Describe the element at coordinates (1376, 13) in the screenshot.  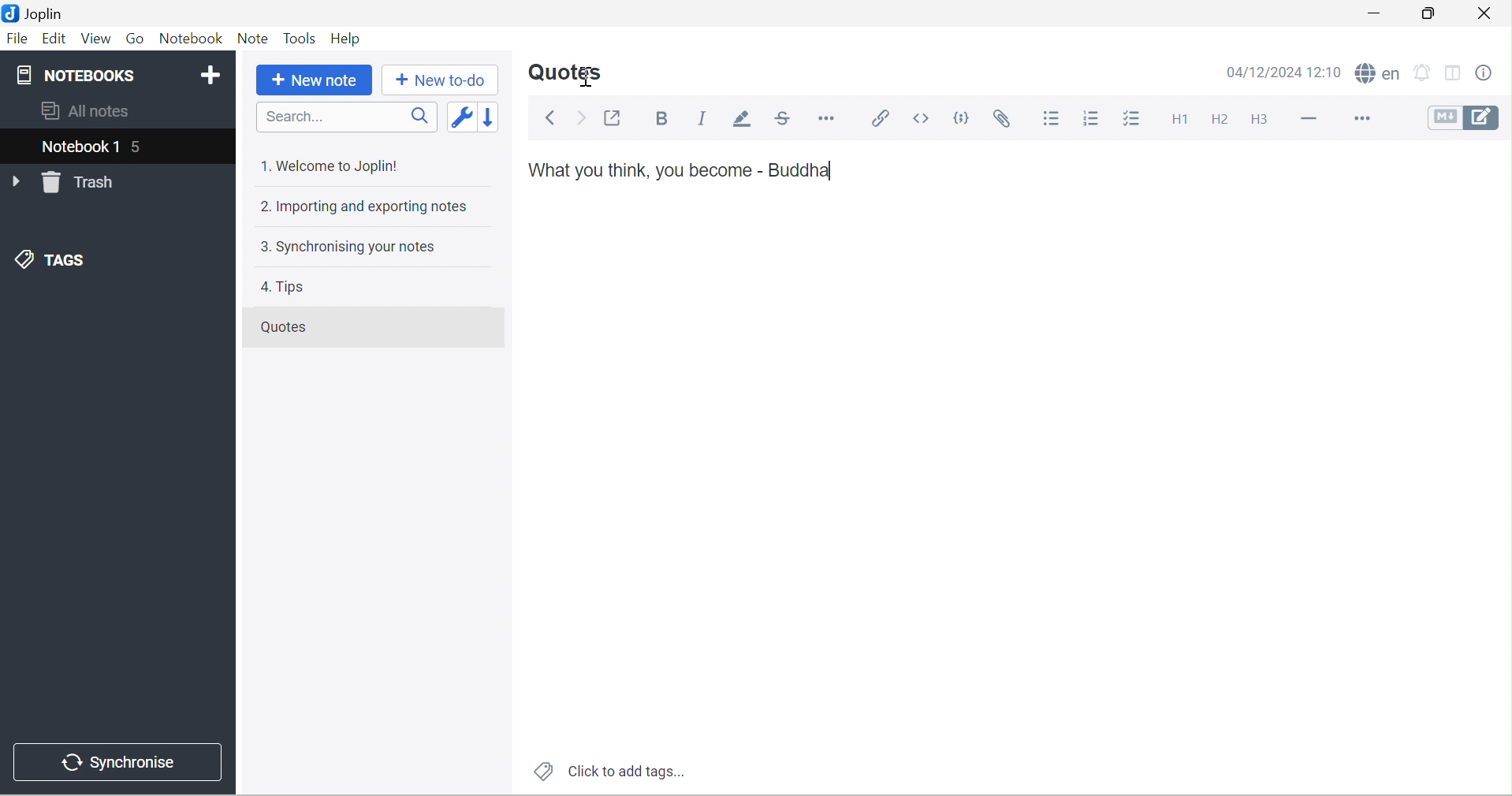
I see `Minimize` at that location.